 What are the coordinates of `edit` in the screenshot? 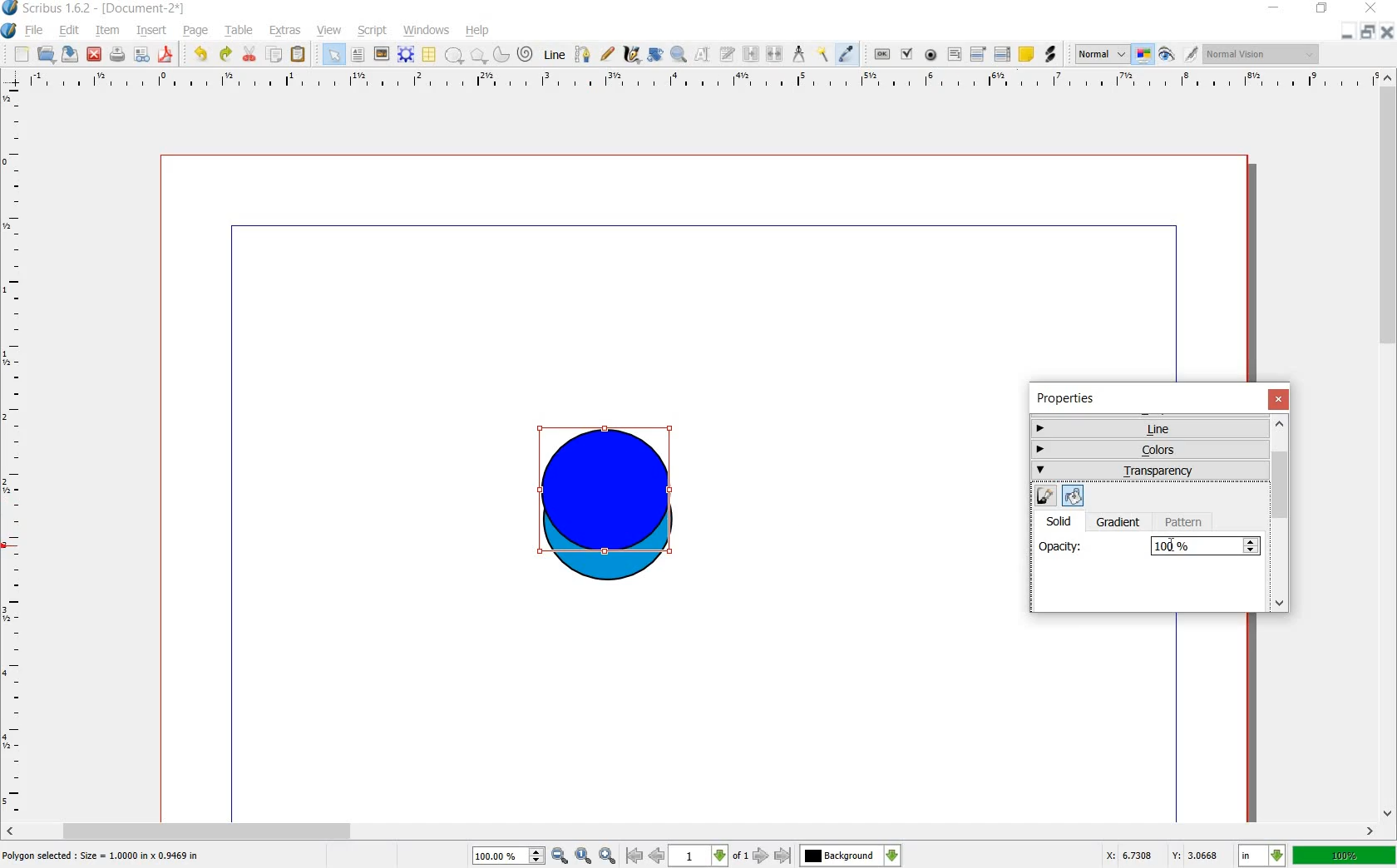 It's located at (72, 32).